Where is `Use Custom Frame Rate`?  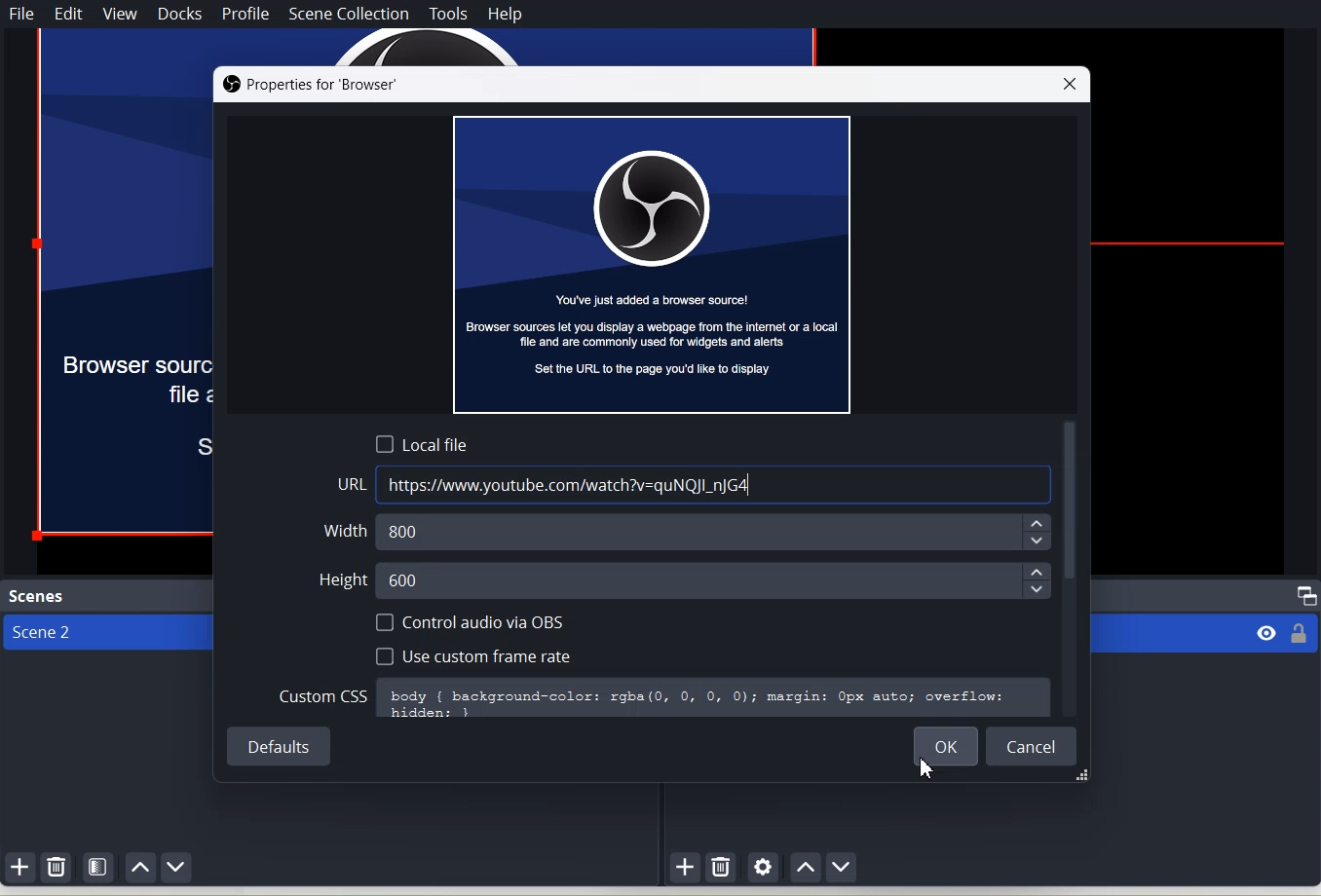
Use Custom Frame Rate is located at coordinates (473, 656).